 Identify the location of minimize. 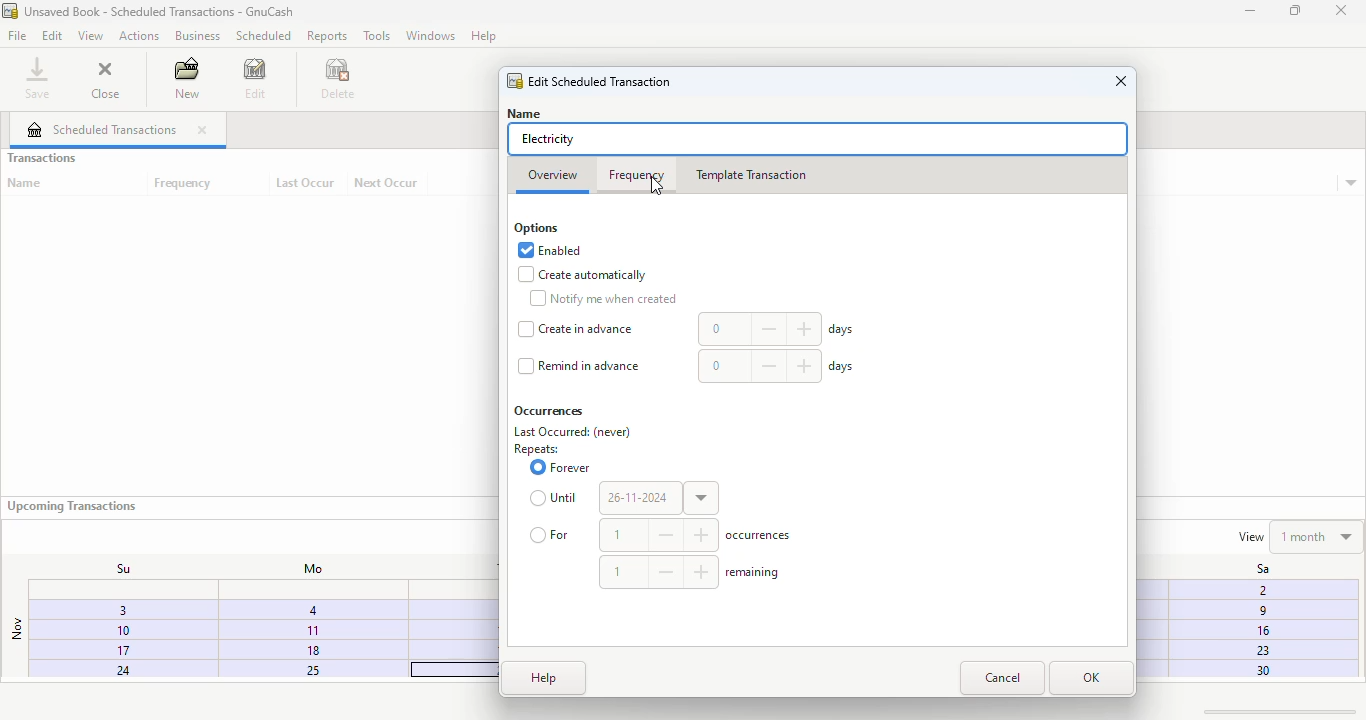
(1250, 11).